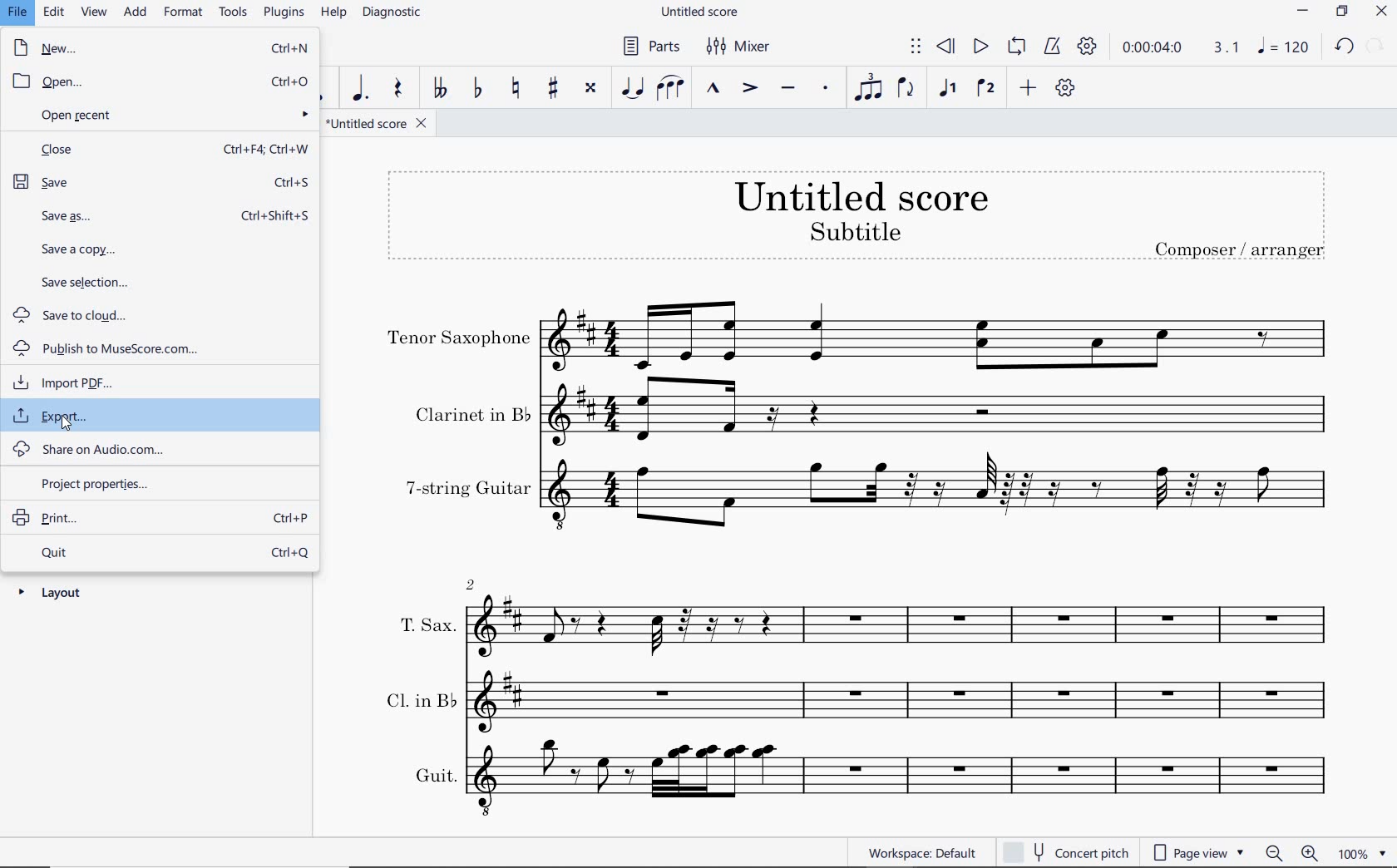 The height and width of the screenshot is (868, 1397). What do you see at coordinates (979, 46) in the screenshot?
I see `PLAY` at bounding box center [979, 46].